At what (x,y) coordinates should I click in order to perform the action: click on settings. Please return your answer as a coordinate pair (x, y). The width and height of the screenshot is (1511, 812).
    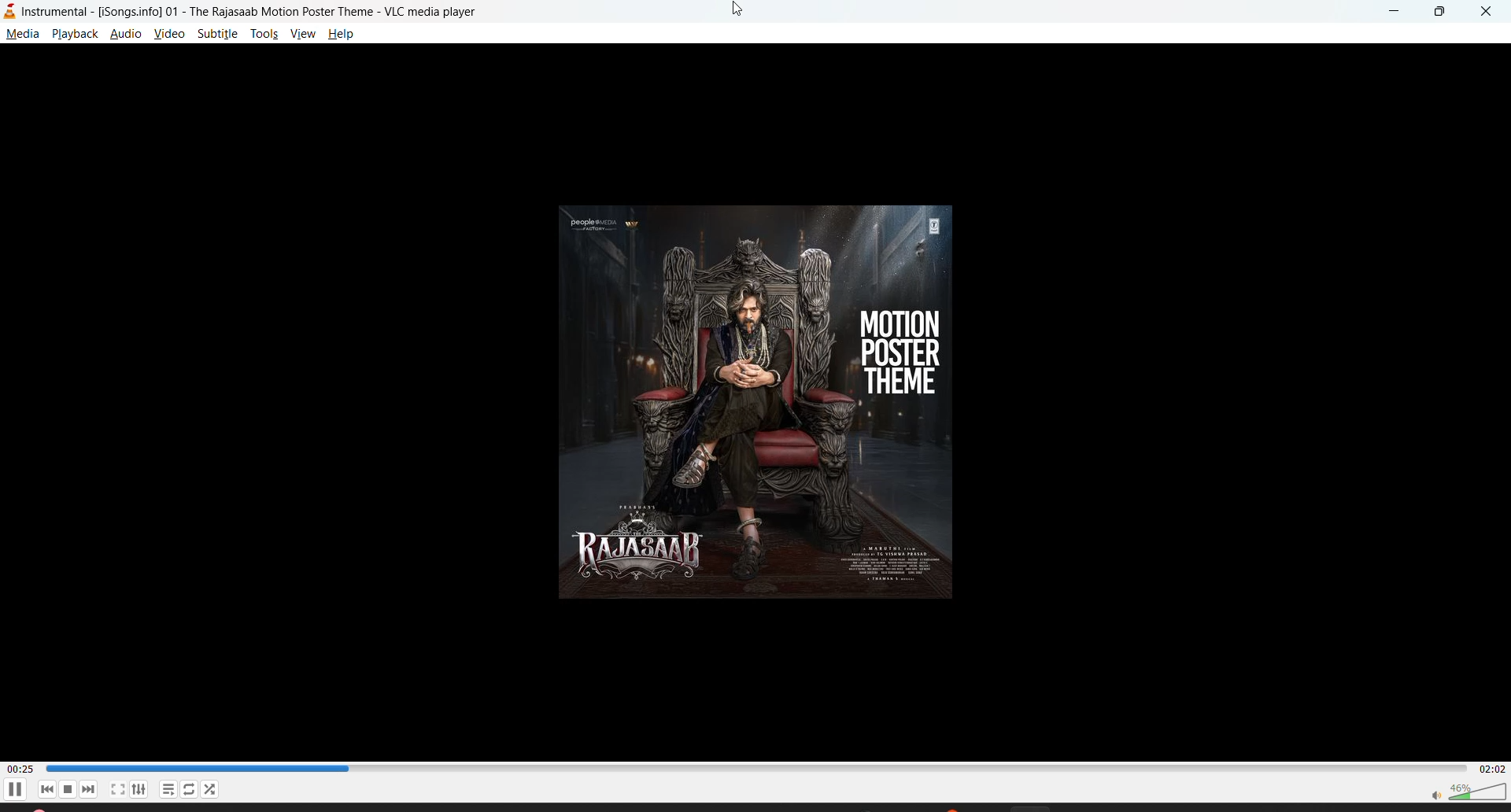
    Looking at the image, I should click on (144, 788).